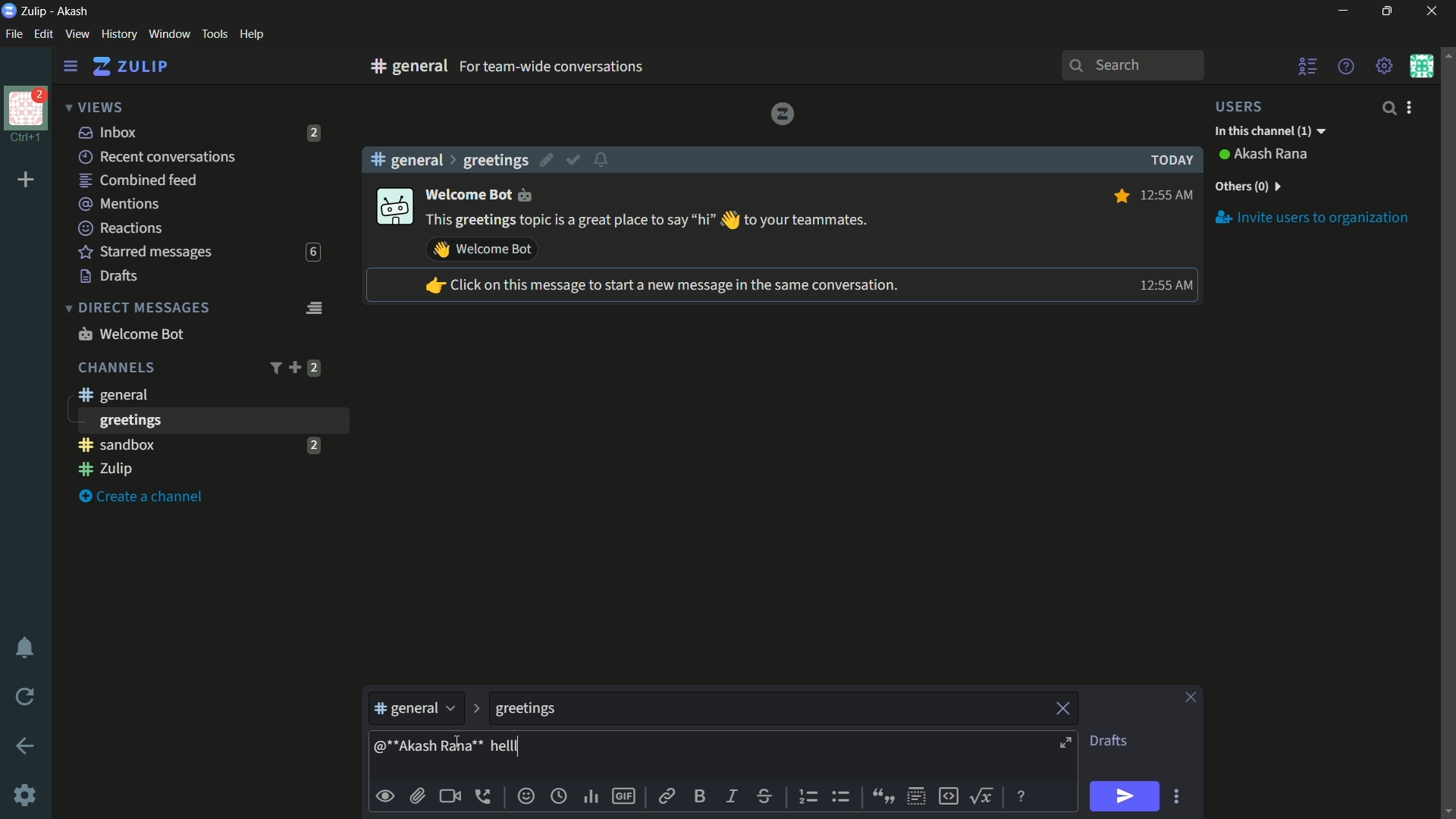 The width and height of the screenshot is (1456, 819). I want to click on , so click(386, 796).